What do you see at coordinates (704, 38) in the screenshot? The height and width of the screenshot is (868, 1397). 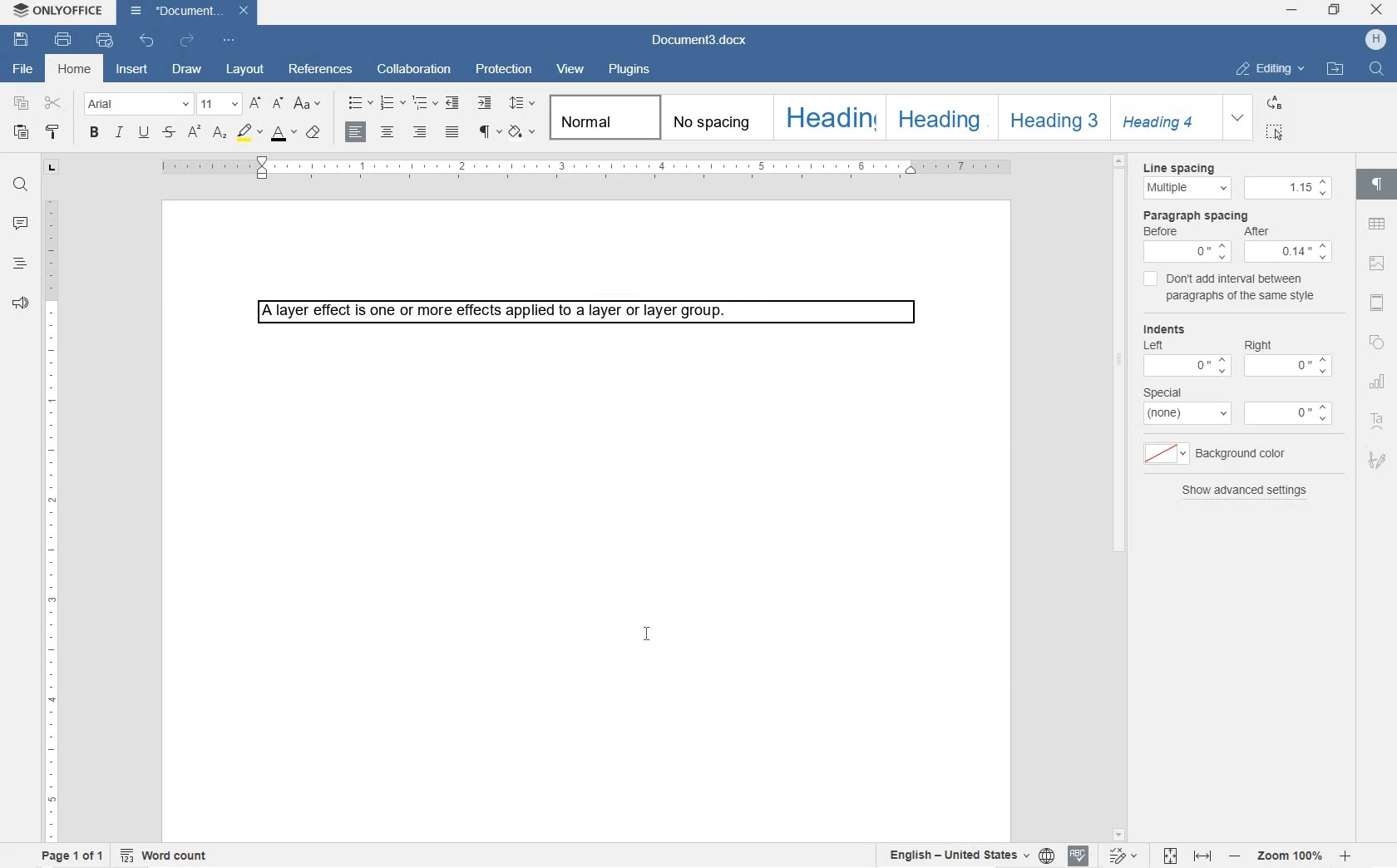 I see `DOCUMENT3.DOCX` at bounding box center [704, 38].